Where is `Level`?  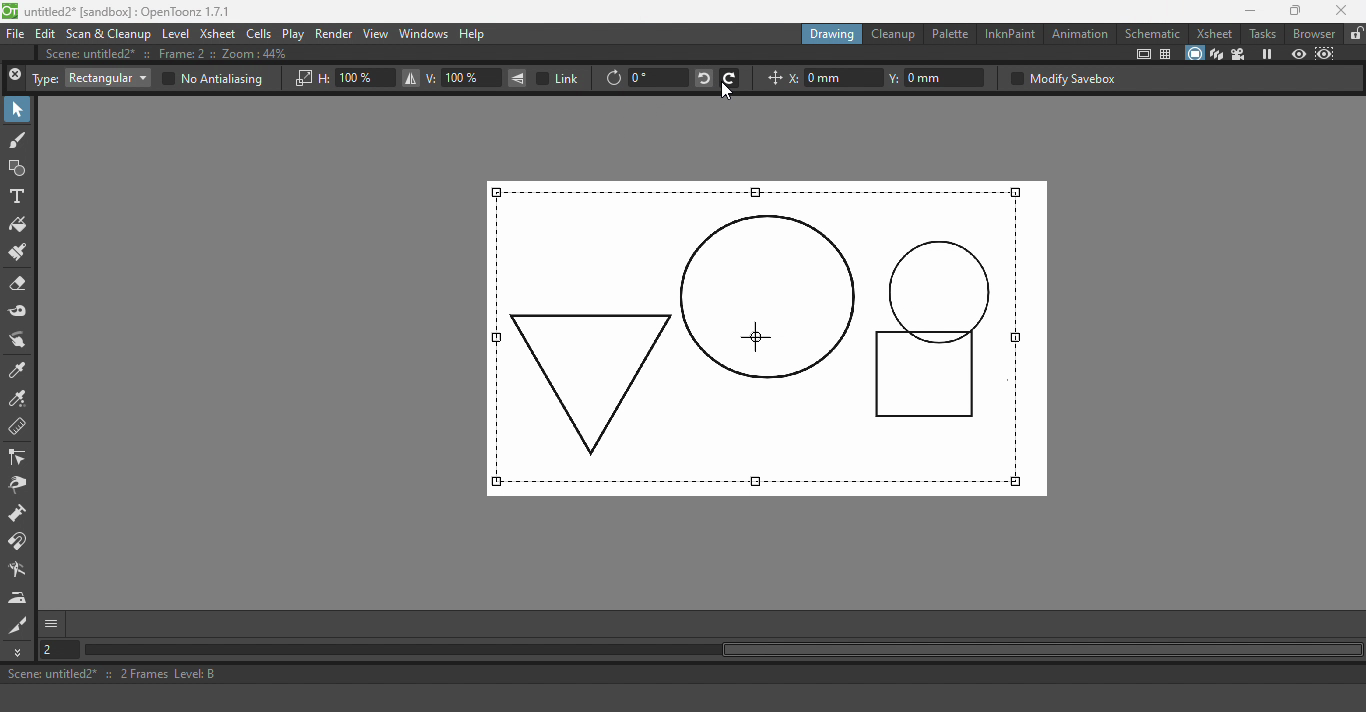 Level is located at coordinates (175, 35).